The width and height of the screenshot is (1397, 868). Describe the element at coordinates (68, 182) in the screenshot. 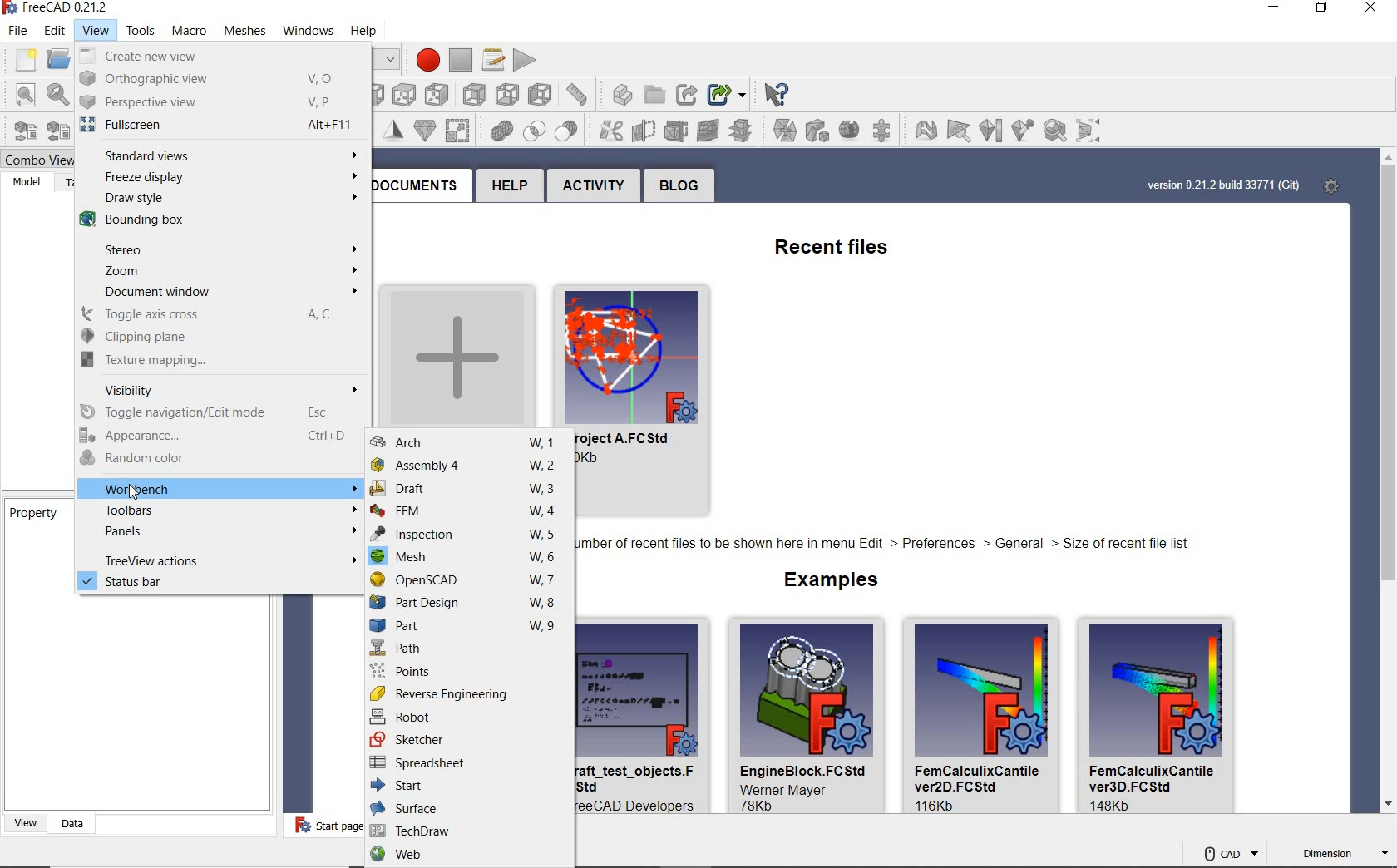

I see `tasks` at that location.